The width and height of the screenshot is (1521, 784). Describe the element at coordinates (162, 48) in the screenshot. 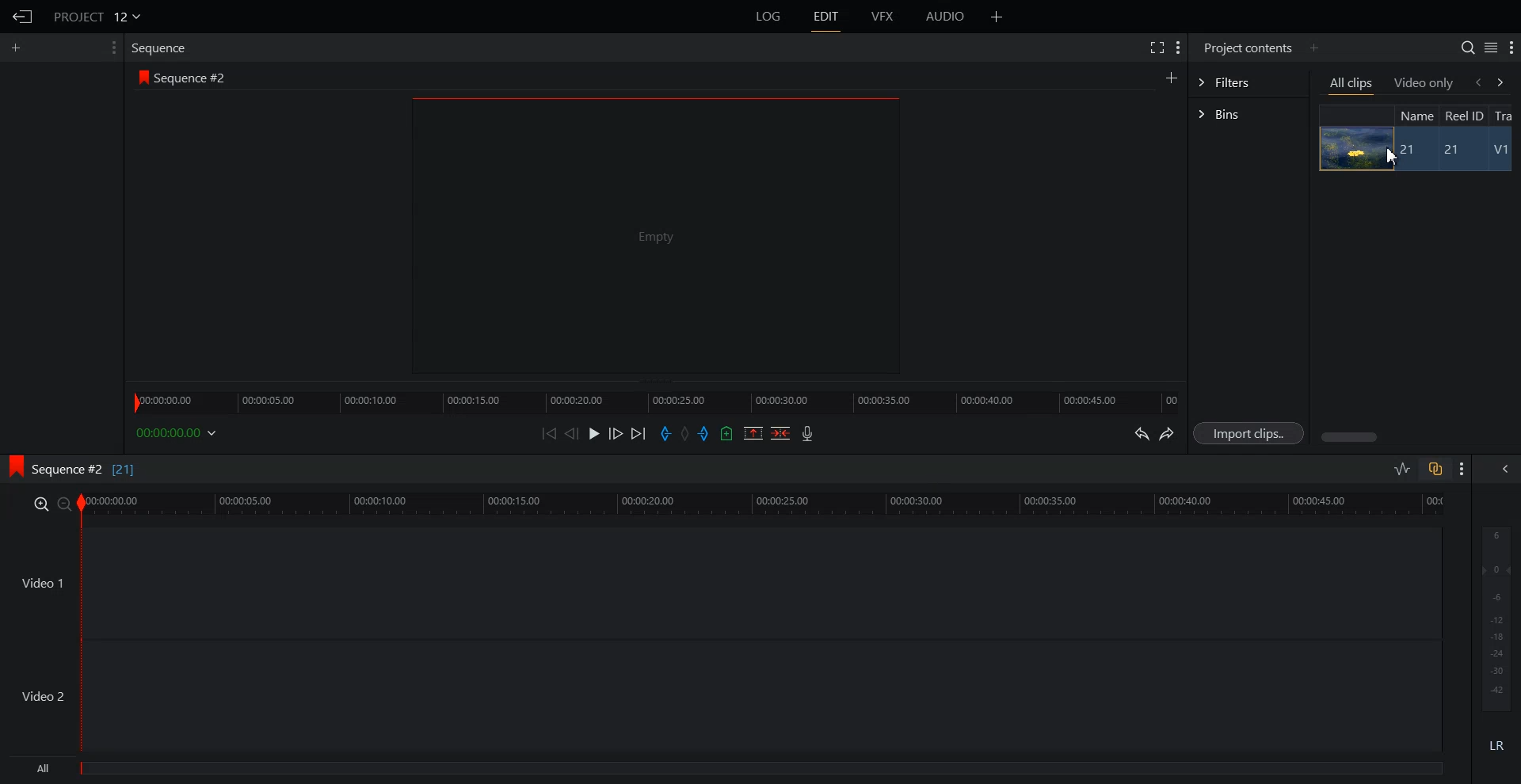

I see `Sequence` at that location.